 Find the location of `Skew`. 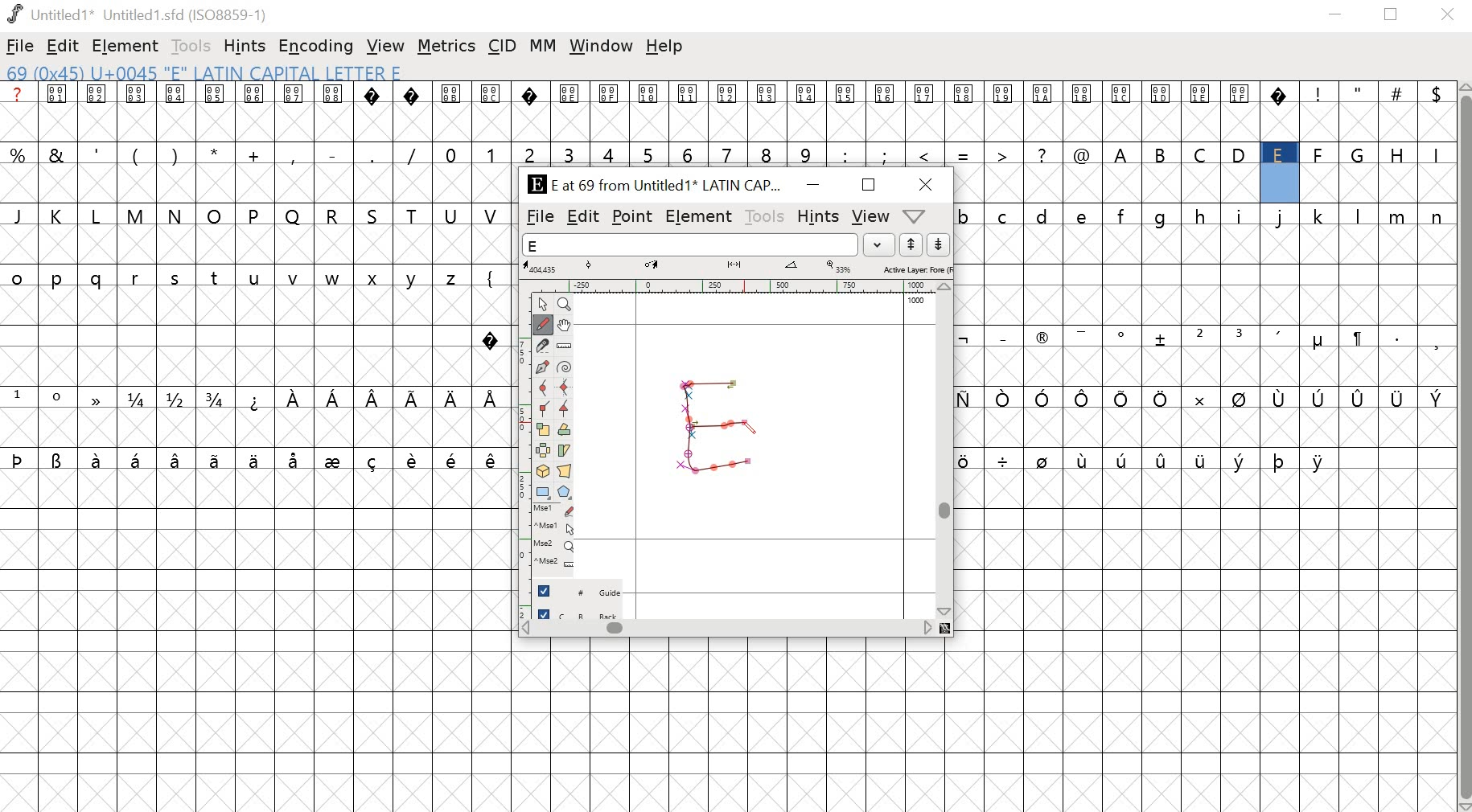

Skew is located at coordinates (566, 450).